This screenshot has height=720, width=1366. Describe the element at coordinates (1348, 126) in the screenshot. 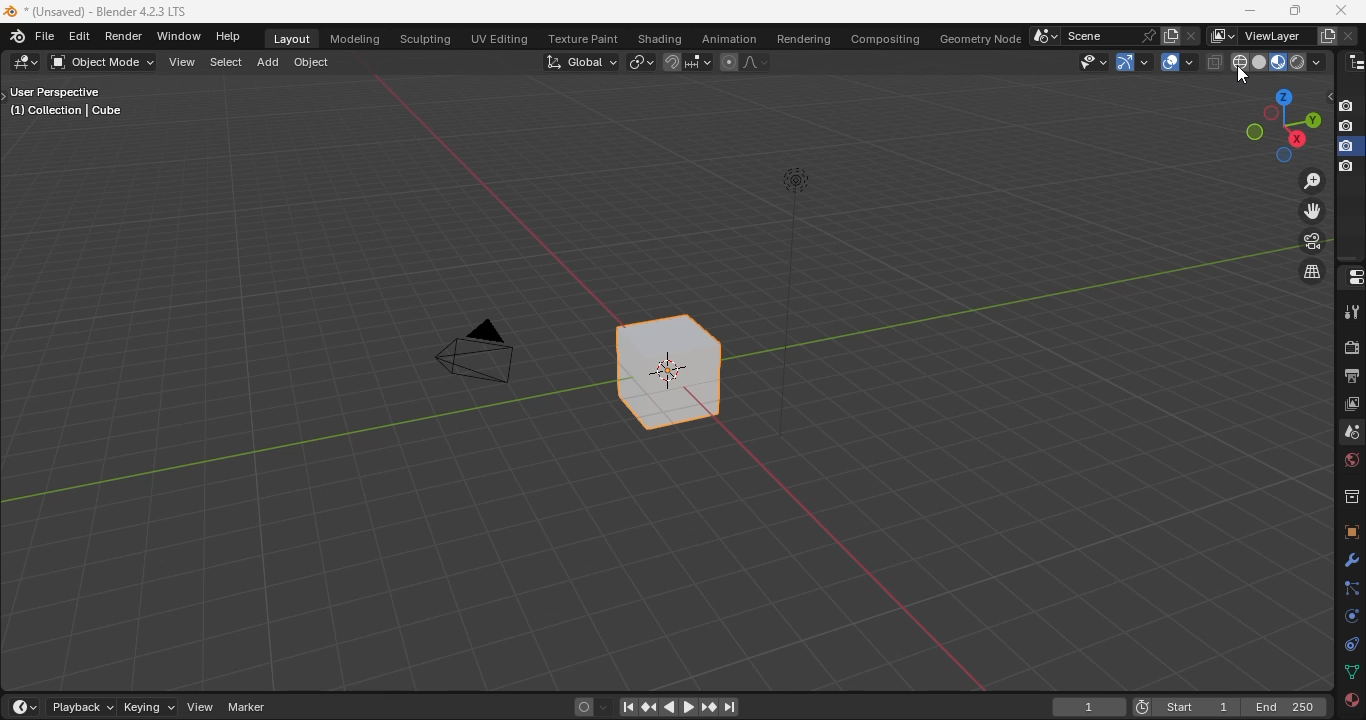

I see `disable in renders` at that location.